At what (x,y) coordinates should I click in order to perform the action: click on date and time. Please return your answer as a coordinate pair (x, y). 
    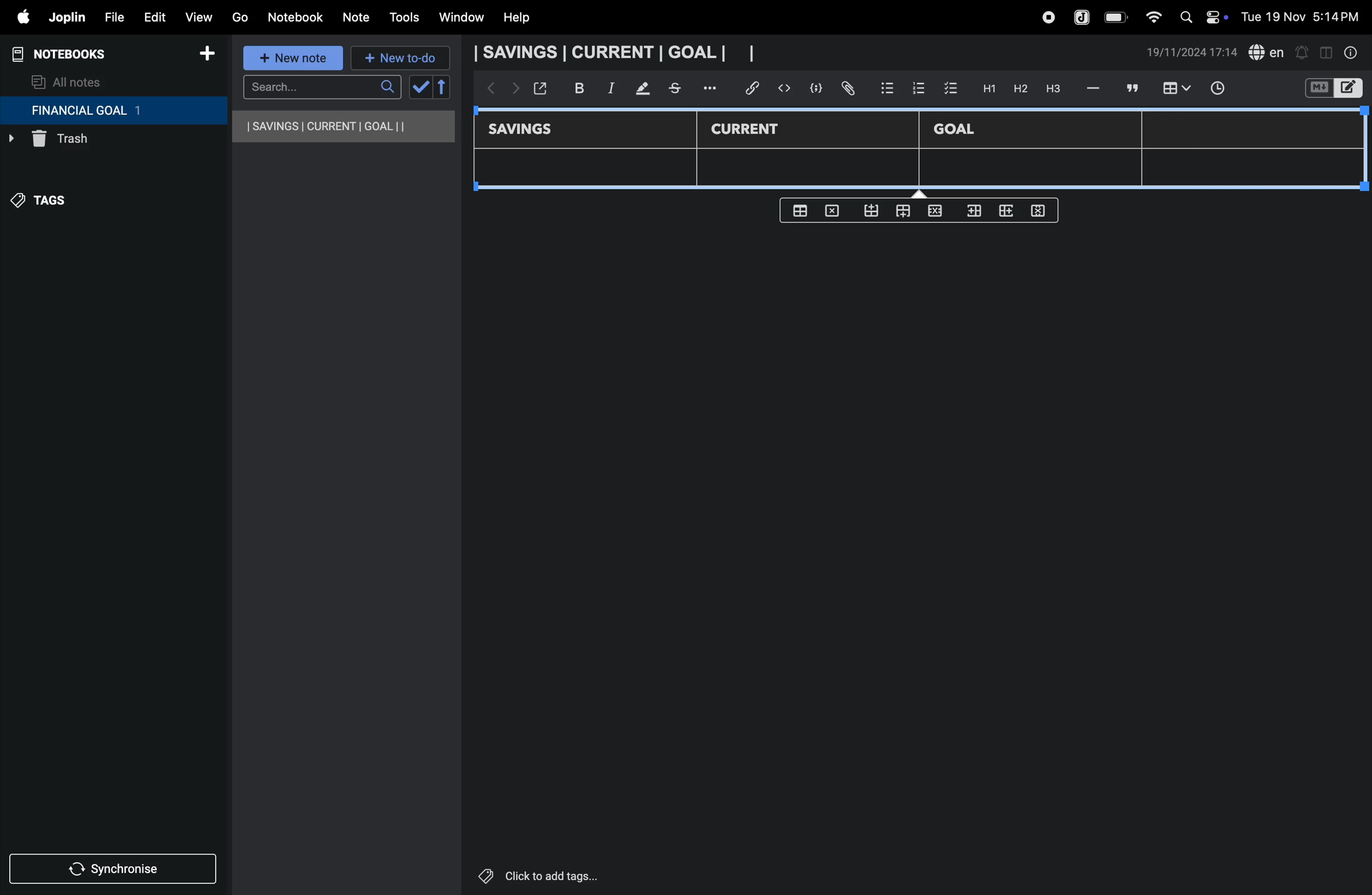
    Looking at the image, I should click on (1304, 16).